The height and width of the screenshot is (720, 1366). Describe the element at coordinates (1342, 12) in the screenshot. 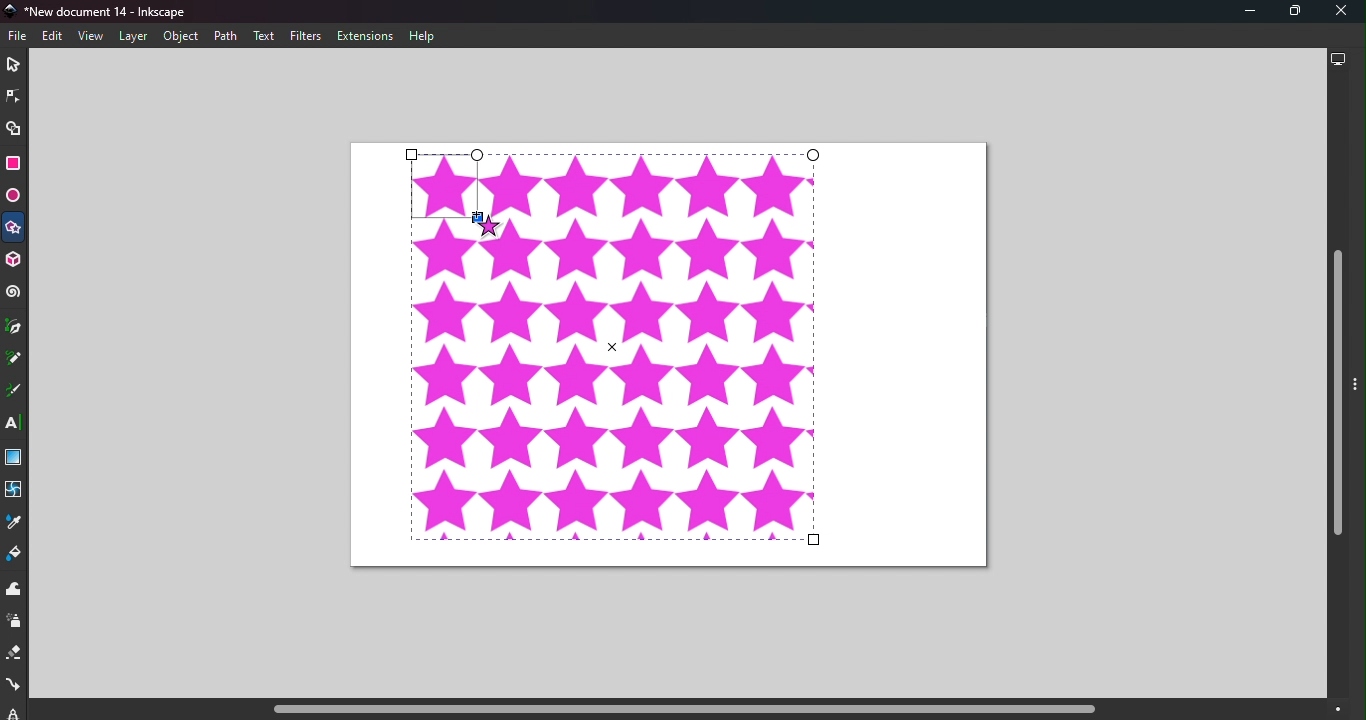

I see `Close` at that location.